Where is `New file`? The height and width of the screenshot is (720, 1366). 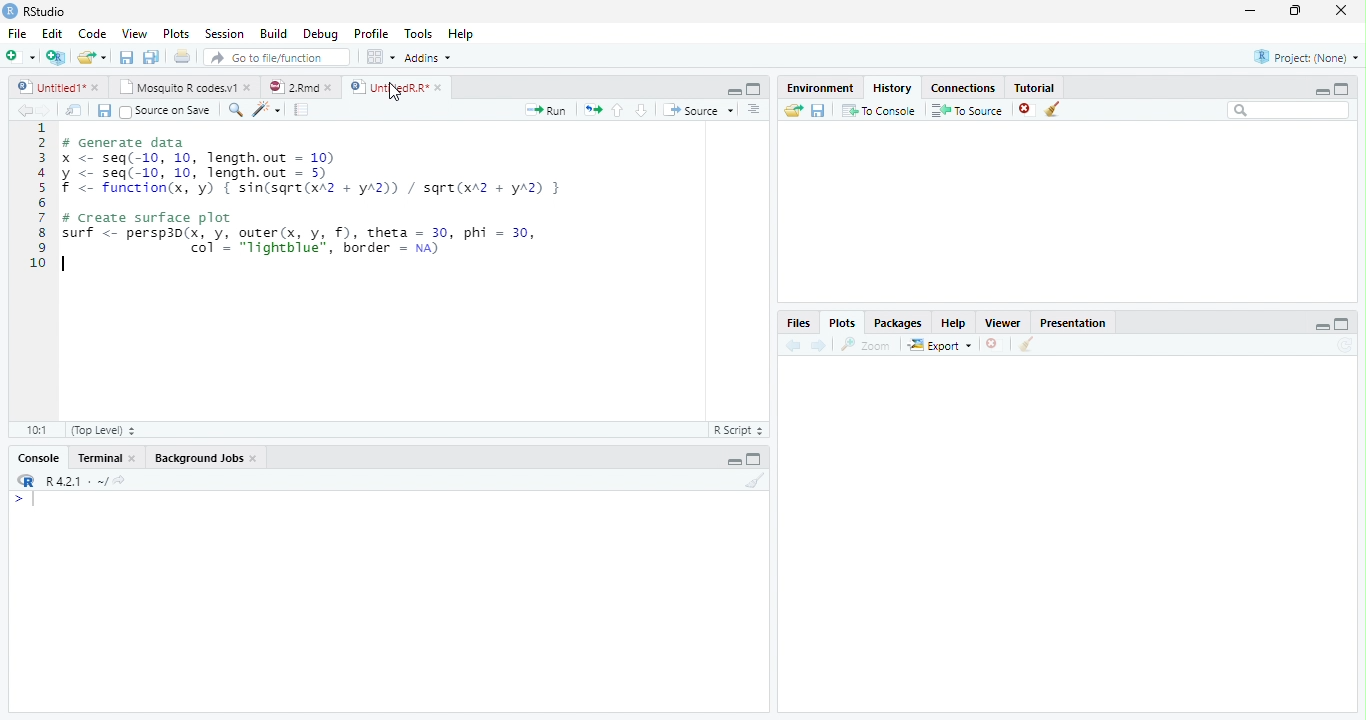 New file is located at coordinates (19, 57).